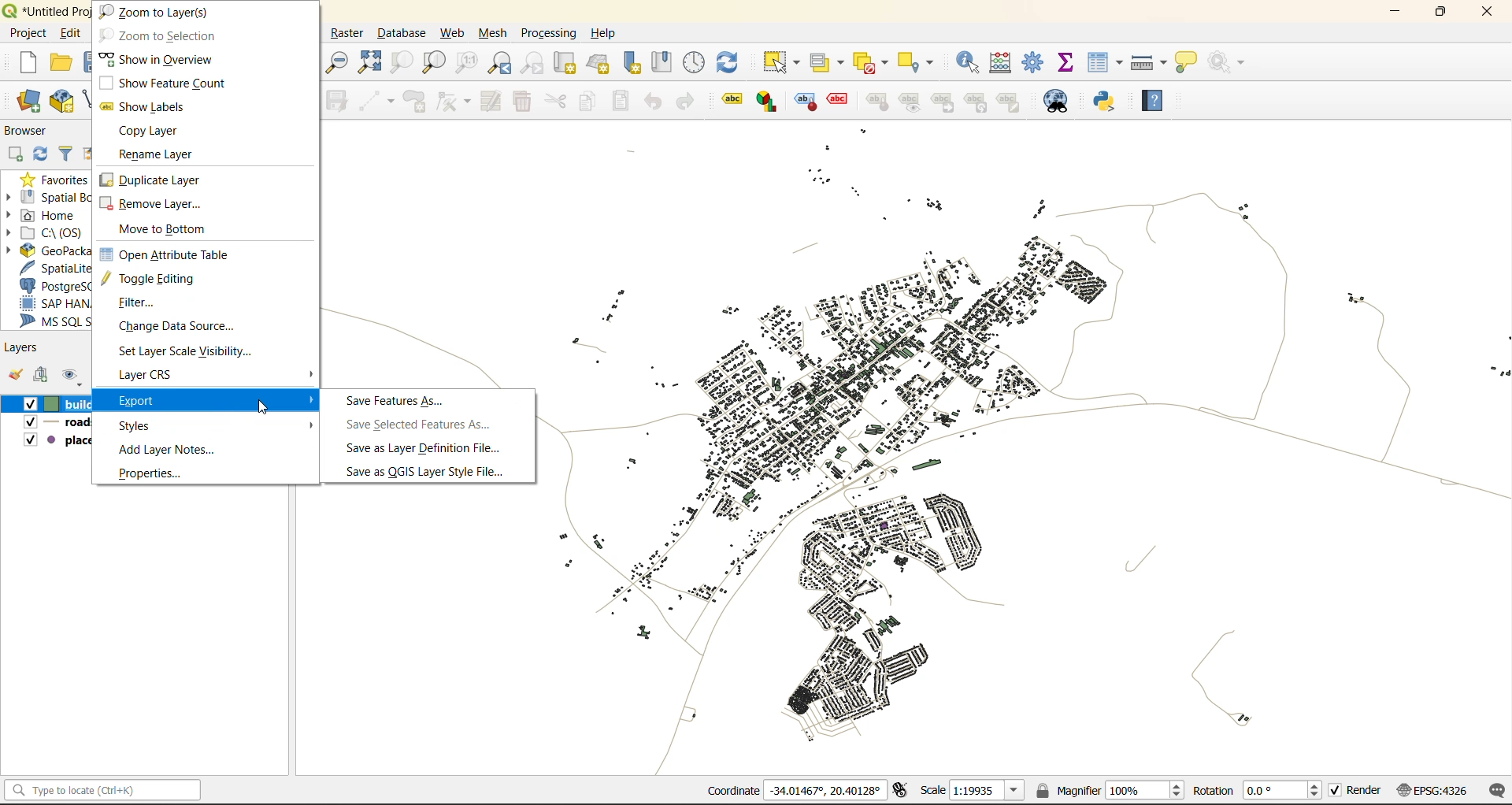 Image resolution: width=1512 pixels, height=805 pixels. What do you see at coordinates (13, 376) in the screenshot?
I see `open` at bounding box center [13, 376].